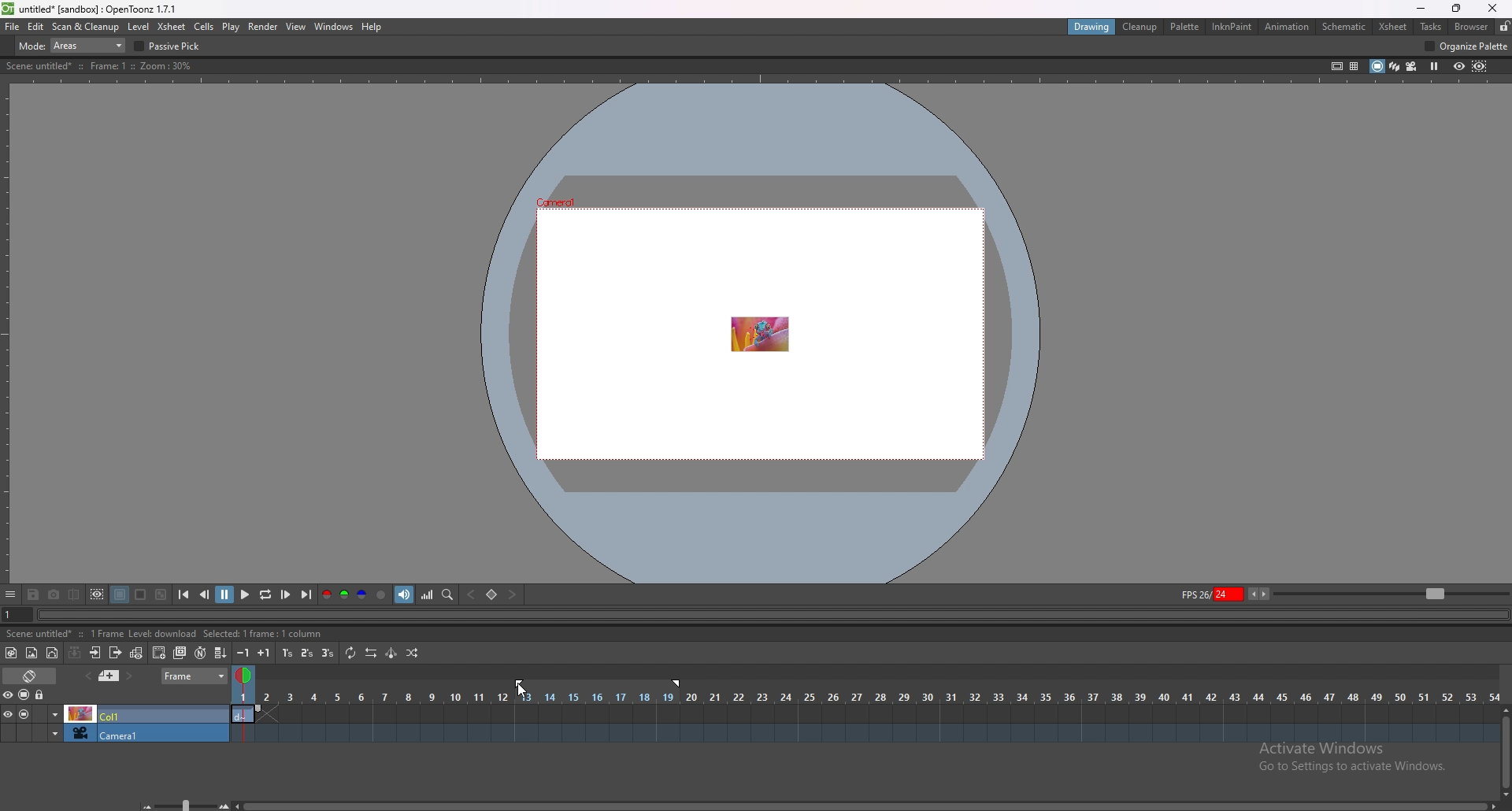 This screenshot has height=811, width=1512. Describe the element at coordinates (1186, 27) in the screenshot. I see `palette` at that location.